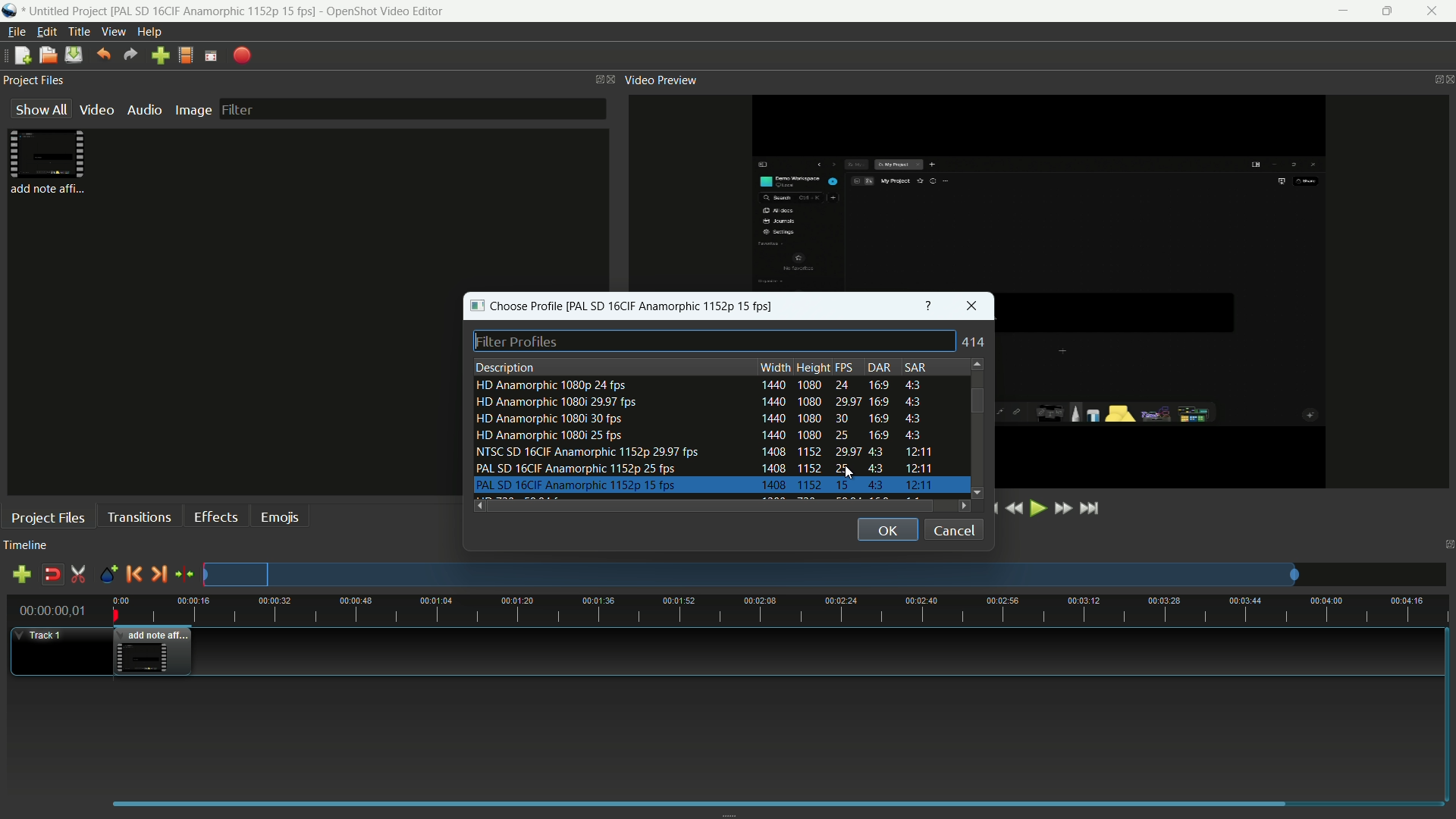 The image size is (1456, 819). What do you see at coordinates (813, 367) in the screenshot?
I see `height` at bounding box center [813, 367].